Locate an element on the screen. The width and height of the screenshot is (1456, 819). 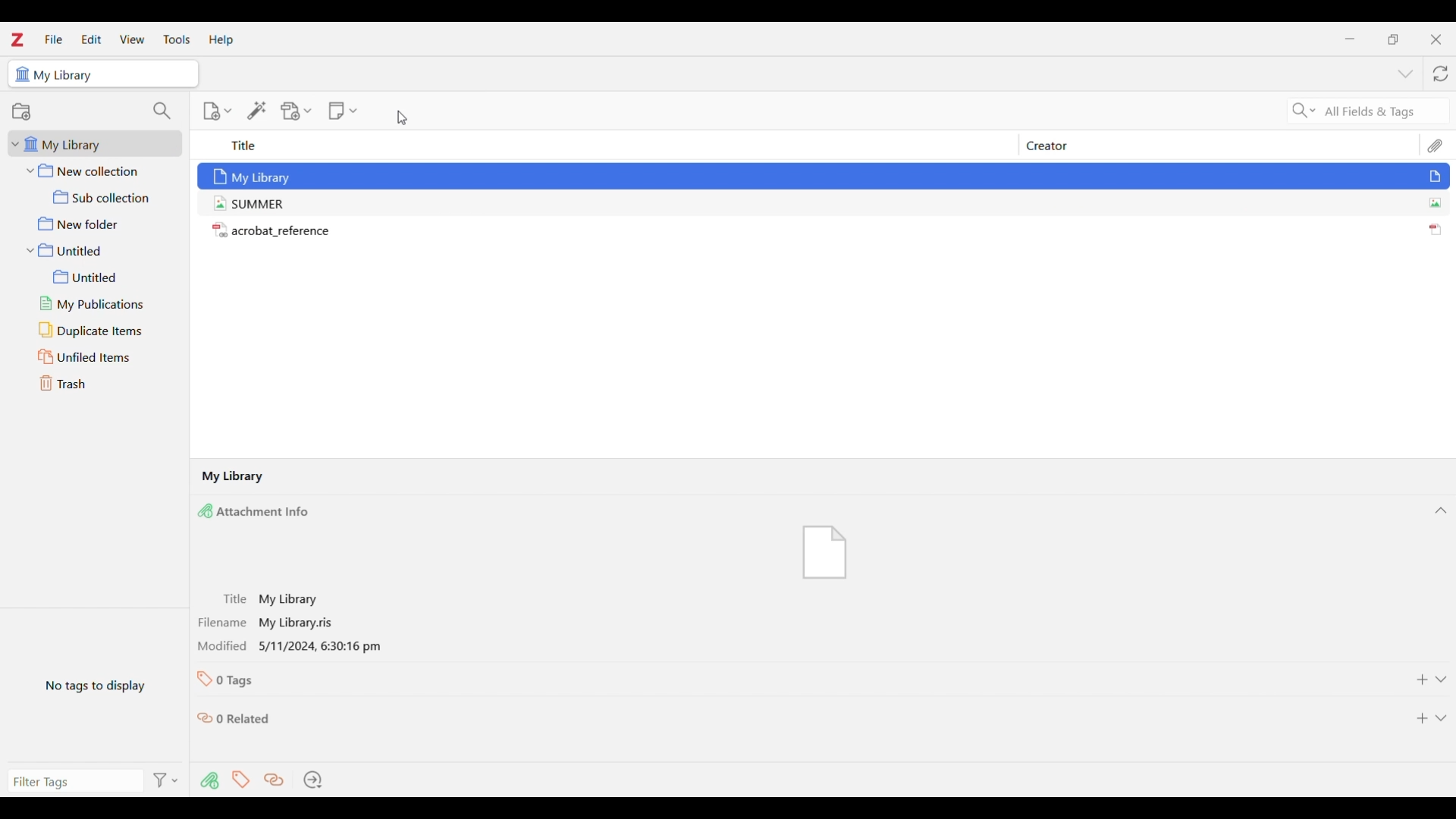
My publications folder is located at coordinates (102, 304).